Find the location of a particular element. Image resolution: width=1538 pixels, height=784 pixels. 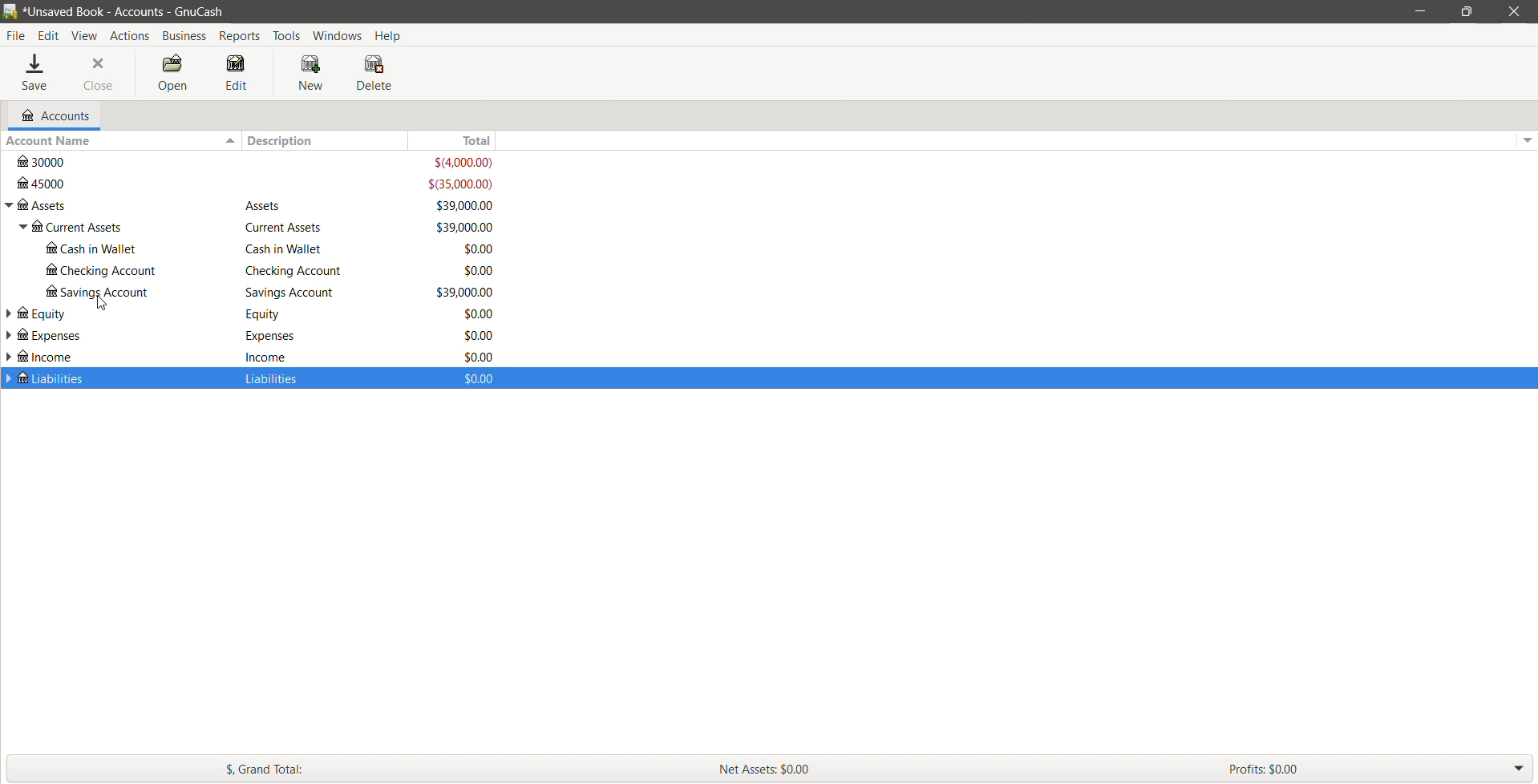

$0.00 is located at coordinates (467, 227).